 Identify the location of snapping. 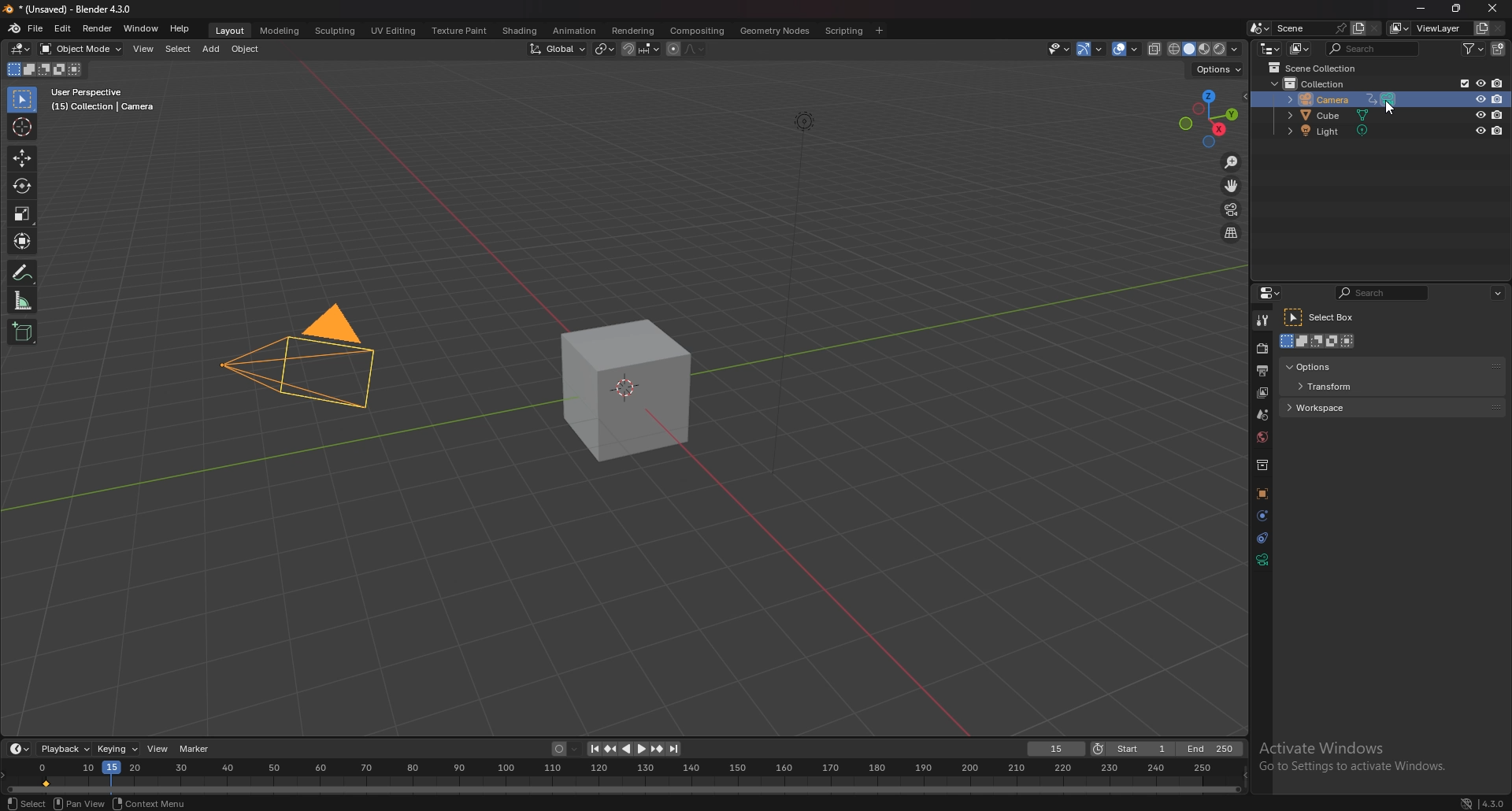
(639, 48).